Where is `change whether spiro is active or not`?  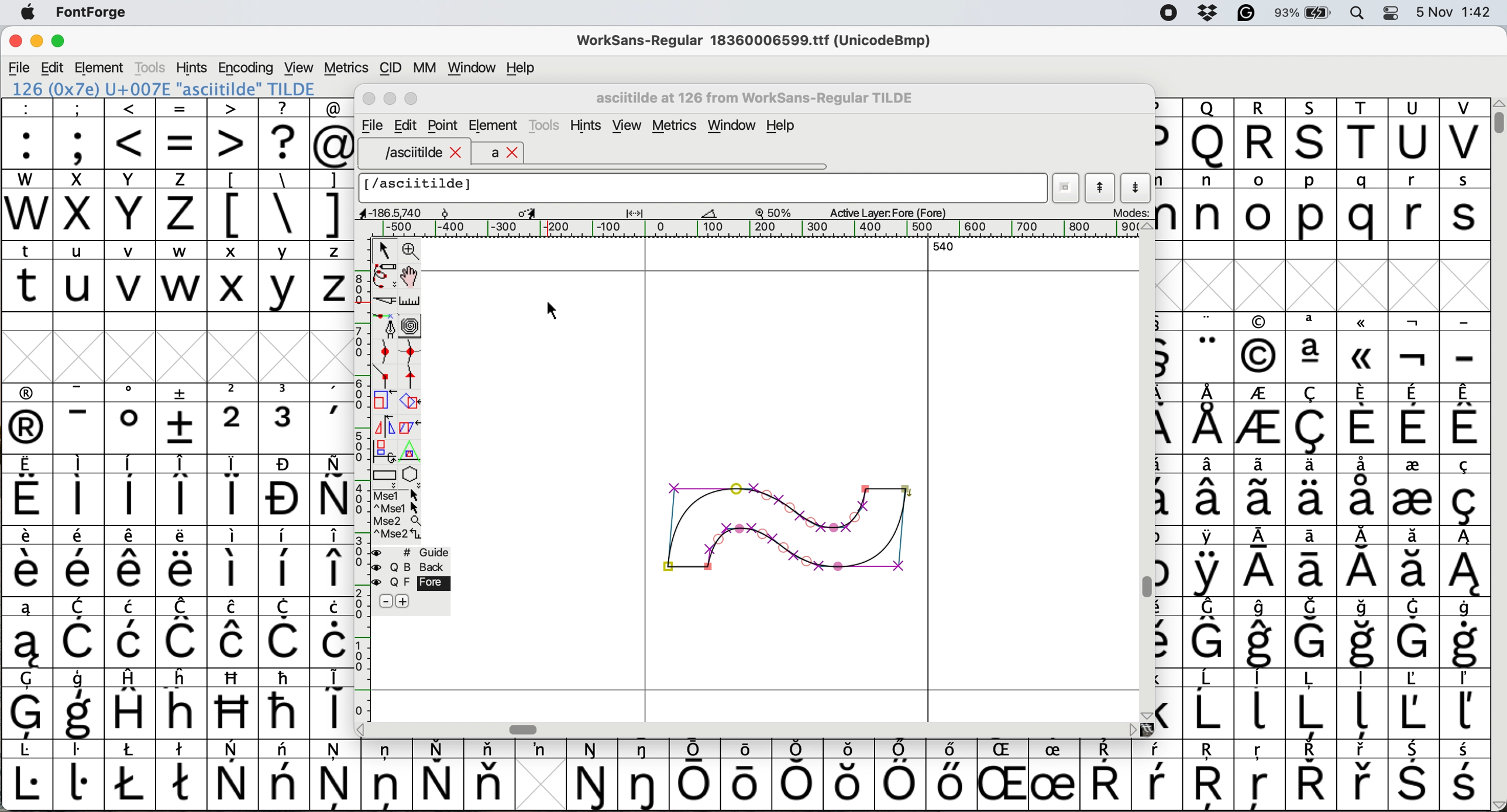 change whether spiro is active or not is located at coordinates (411, 325).